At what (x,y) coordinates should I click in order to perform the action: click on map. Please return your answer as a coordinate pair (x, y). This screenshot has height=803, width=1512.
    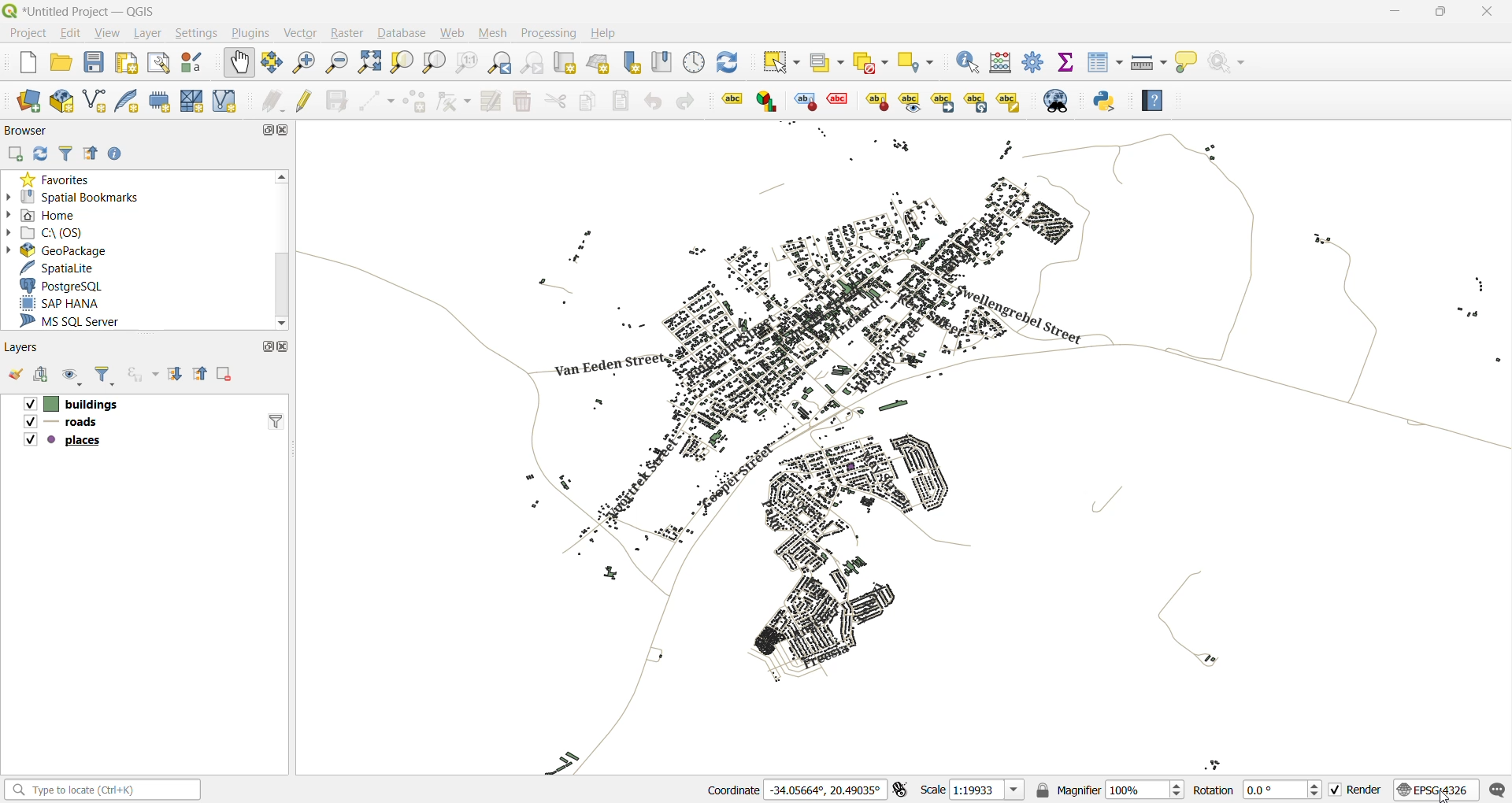
    Looking at the image, I should click on (913, 447).